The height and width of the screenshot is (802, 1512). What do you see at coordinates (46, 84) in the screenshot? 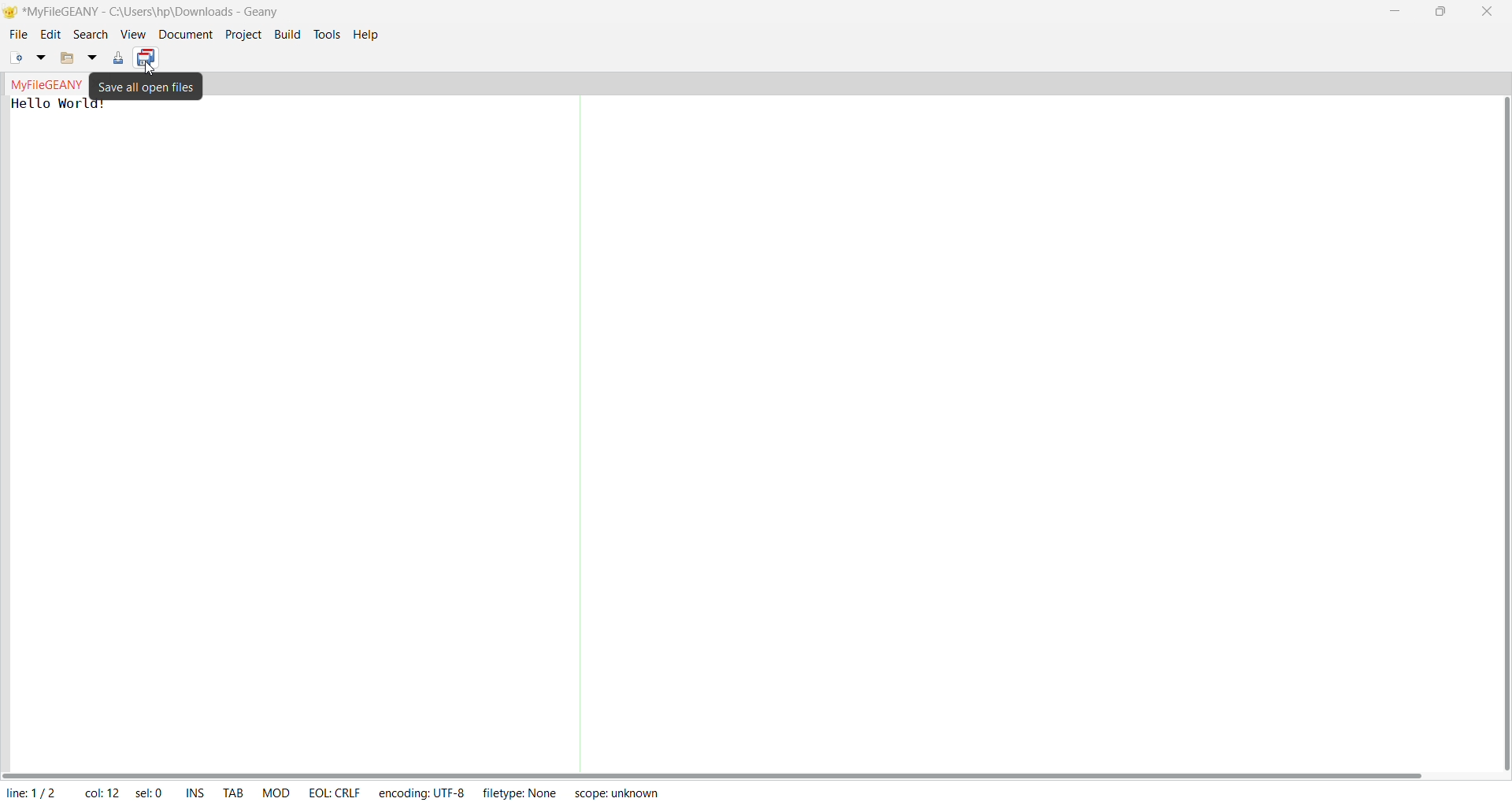
I see `File Name` at bounding box center [46, 84].